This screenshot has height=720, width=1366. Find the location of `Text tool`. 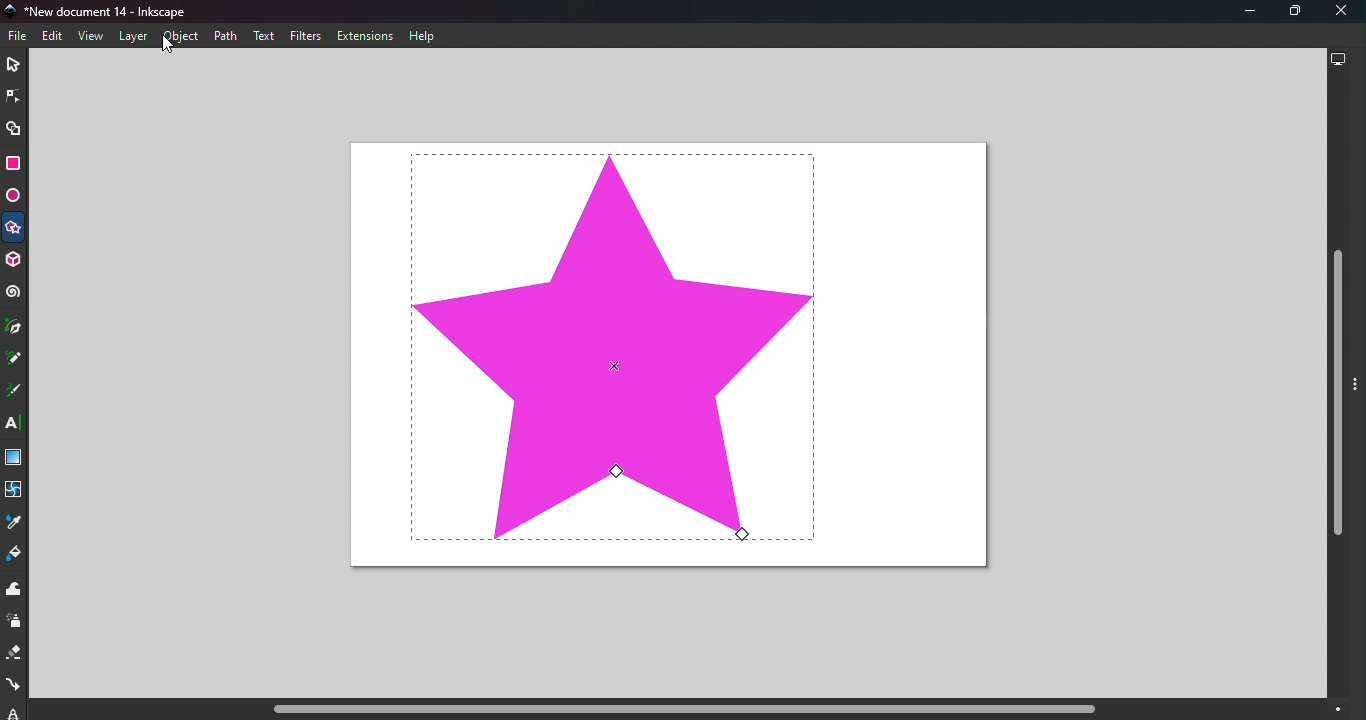

Text tool is located at coordinates (15, 424).